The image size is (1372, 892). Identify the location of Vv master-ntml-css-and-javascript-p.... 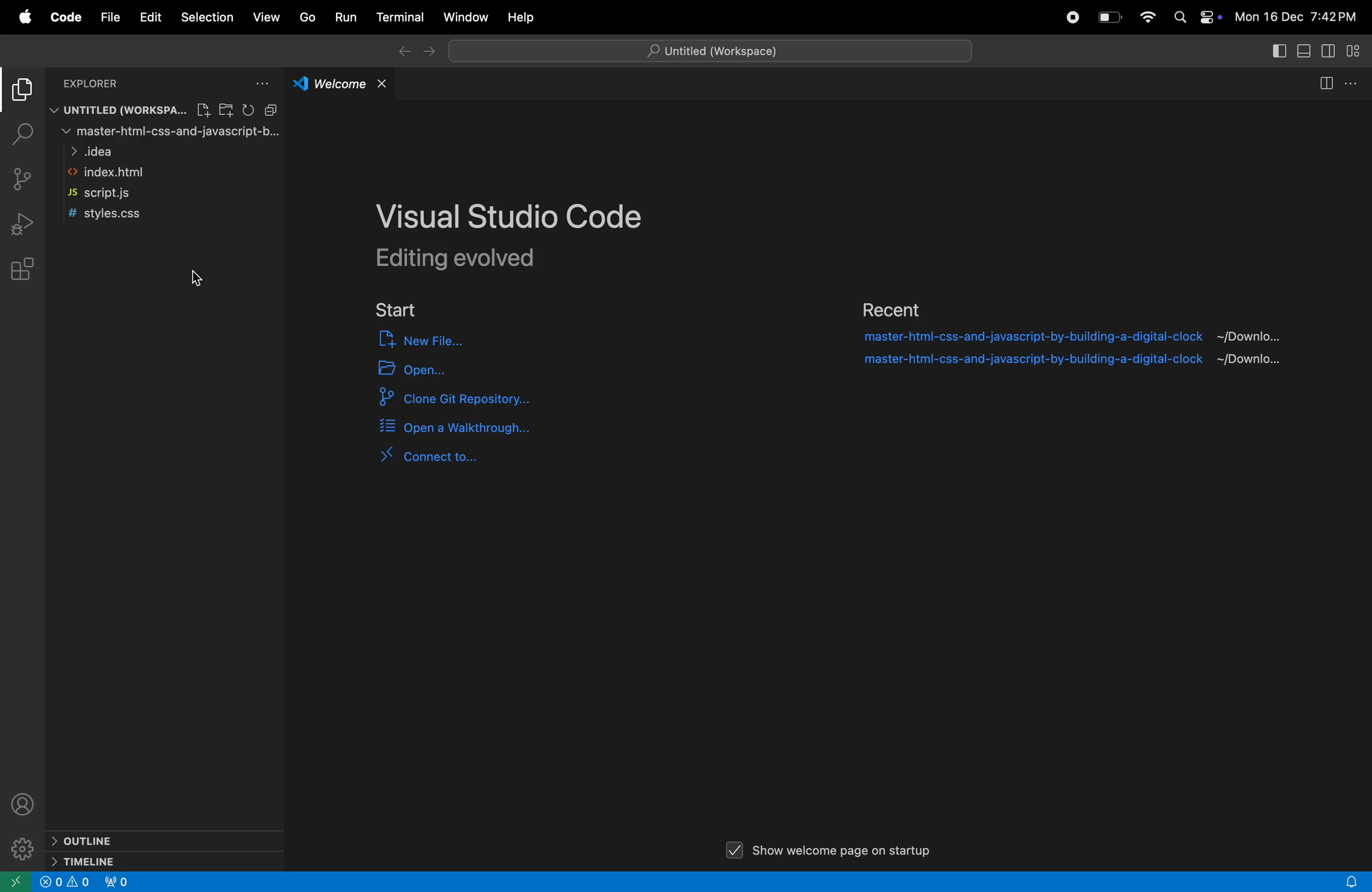
(171, 132).